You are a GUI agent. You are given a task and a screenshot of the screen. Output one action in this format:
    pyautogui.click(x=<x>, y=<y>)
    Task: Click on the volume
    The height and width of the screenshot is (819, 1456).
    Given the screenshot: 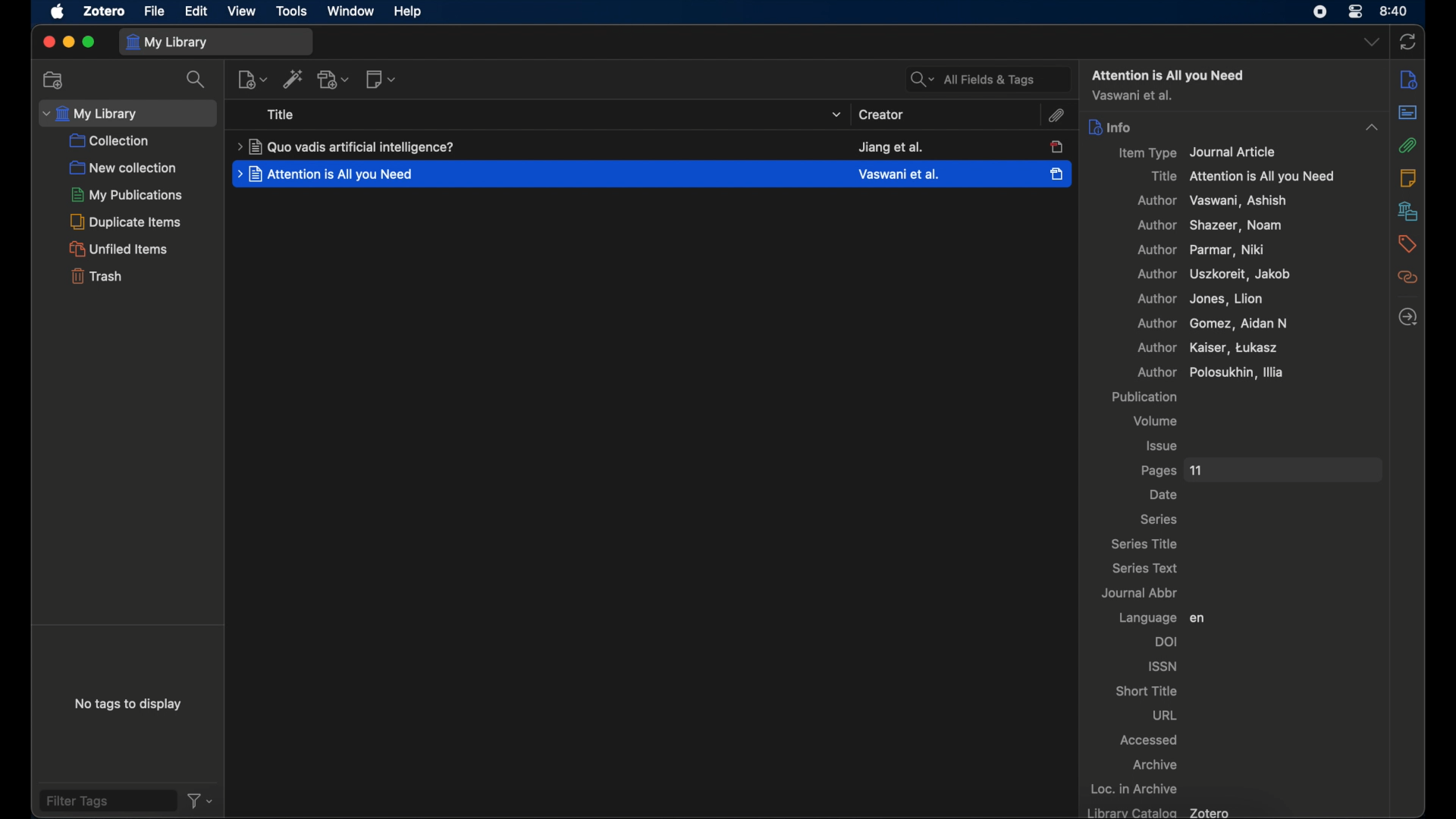 What is the action you would take?
    pyautogui.click(x=1158, y=421)
    